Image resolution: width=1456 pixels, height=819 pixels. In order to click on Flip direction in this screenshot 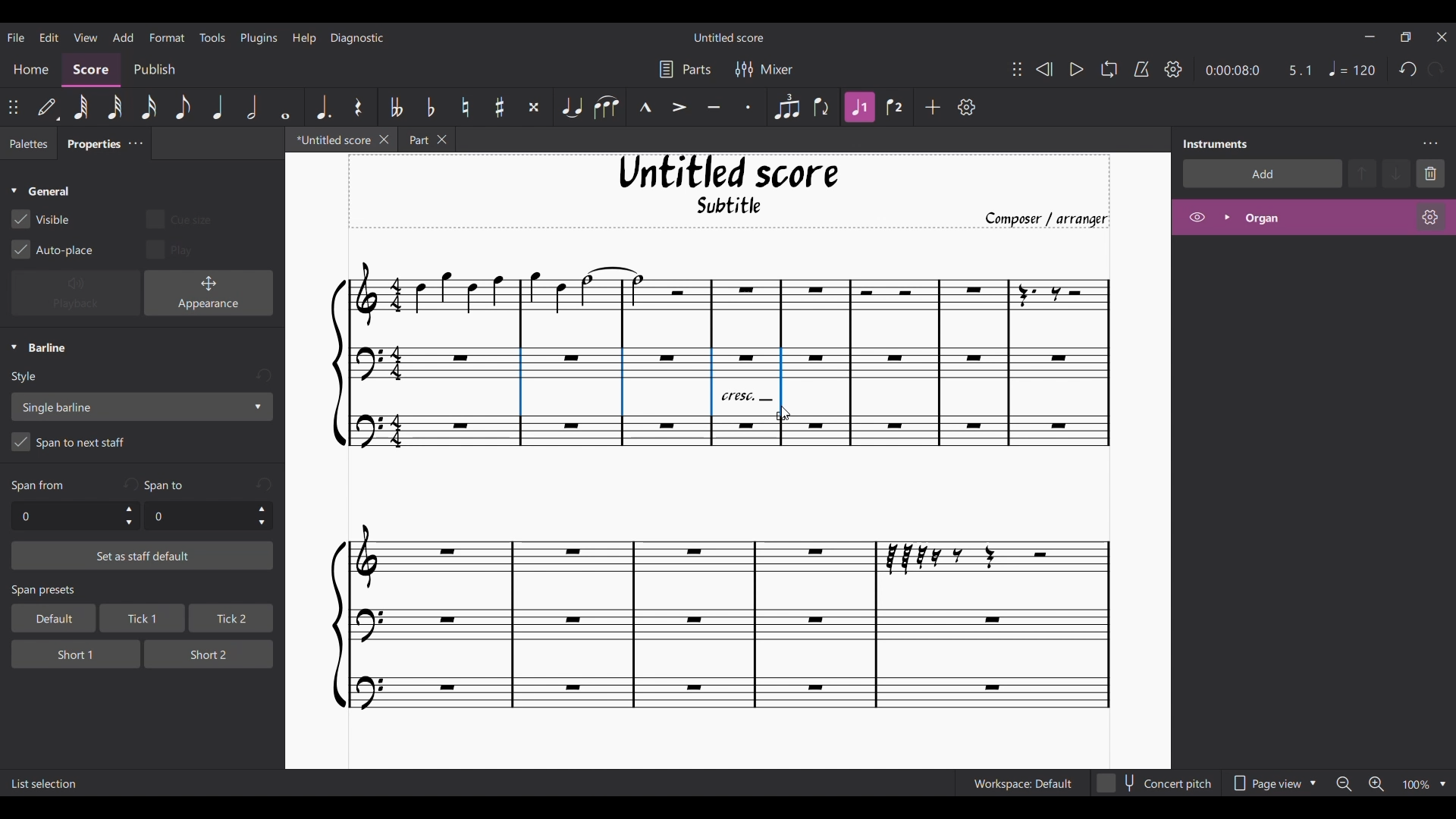, I will do `click(823, 107)`.